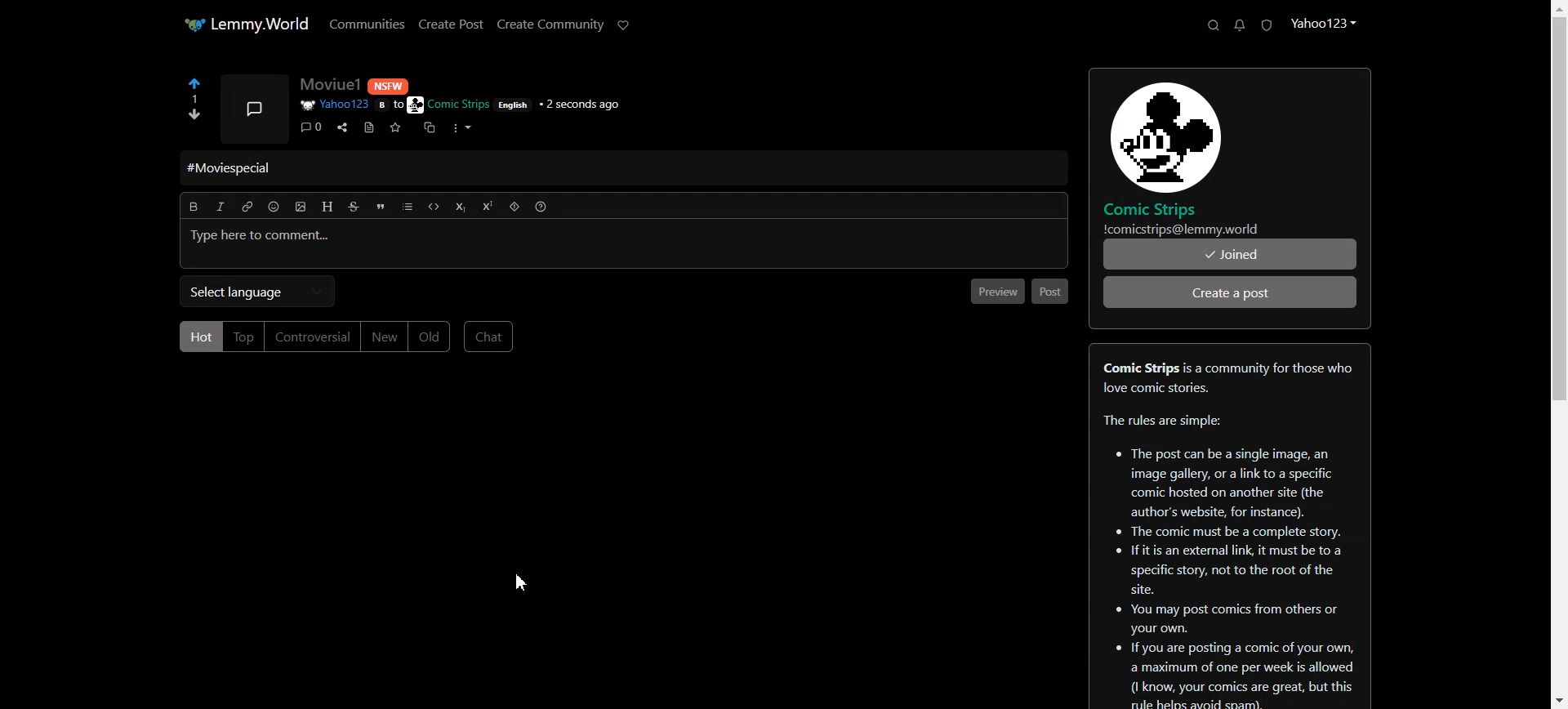 The height and width of the screenshot is (709, 1568). Describe the element at coordinates (1200, 154) in the screenshot. I see `Logo and Text` at that location.